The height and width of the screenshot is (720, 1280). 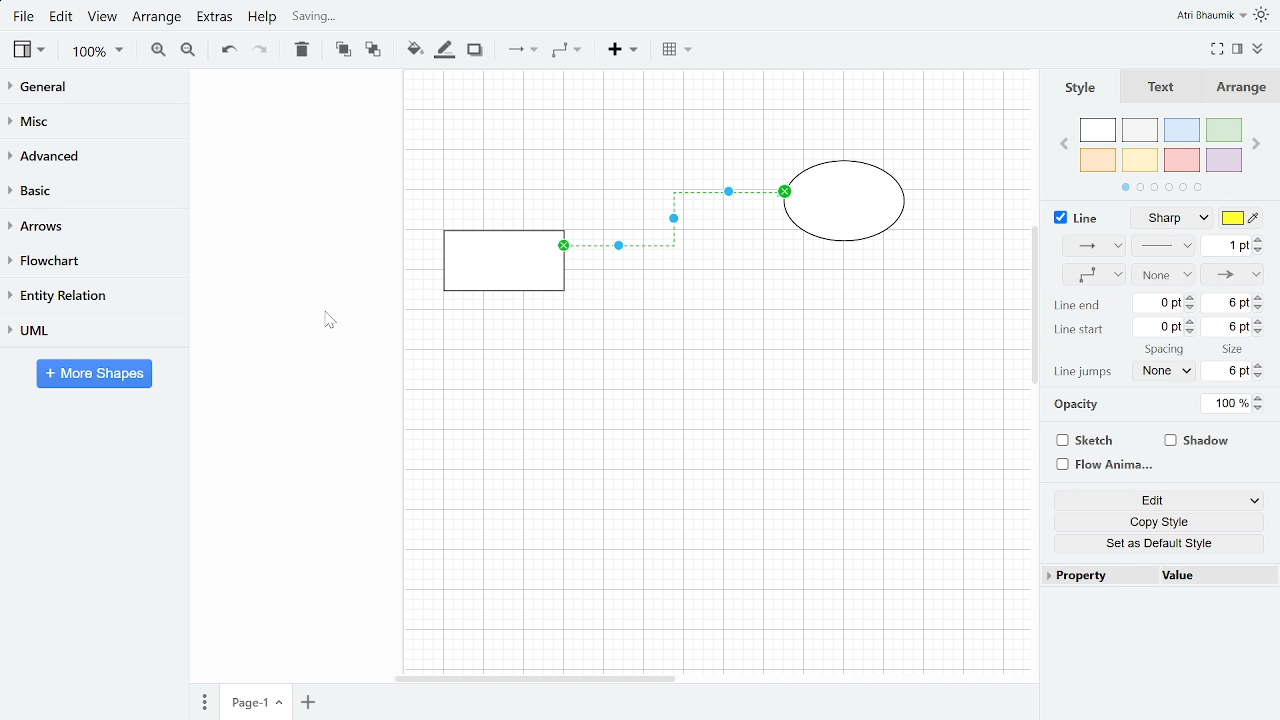 What do you see at coordinates (1227, 327) in the screenshot?
I see `Current line start size` at bounding box center [1227, 327].